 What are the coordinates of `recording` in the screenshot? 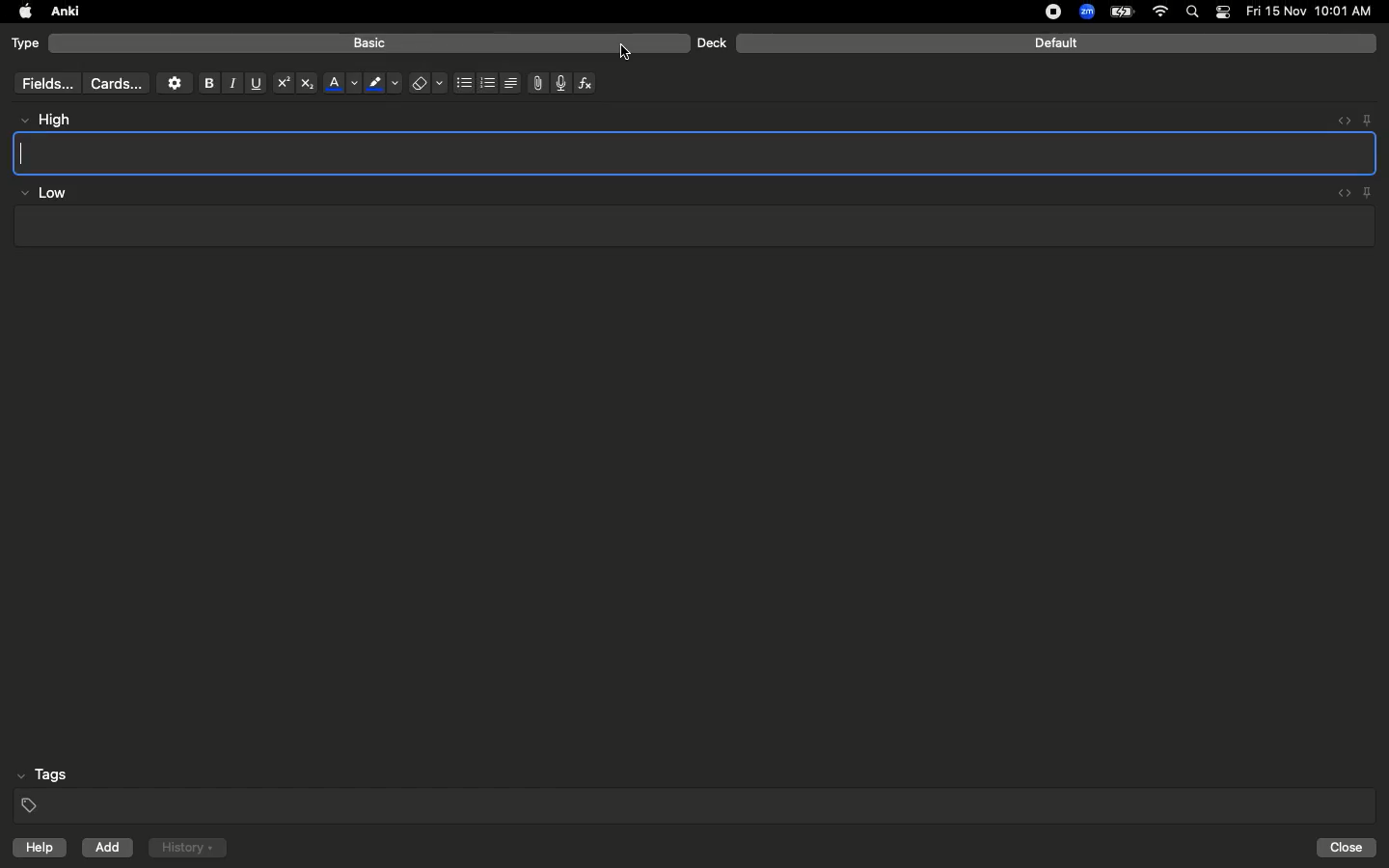 It's located at (1042, 12).